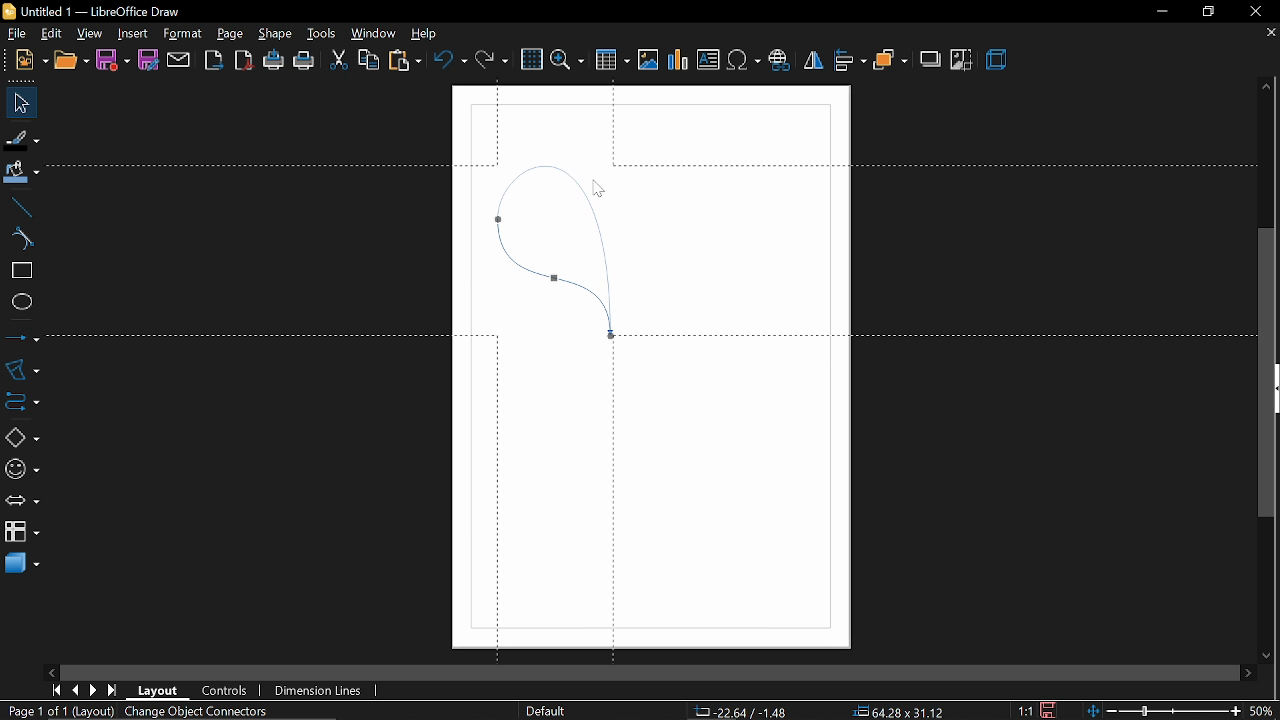  Describe the element at coordinates (274, 62) in the screenshot. I see `print directly` at that location.